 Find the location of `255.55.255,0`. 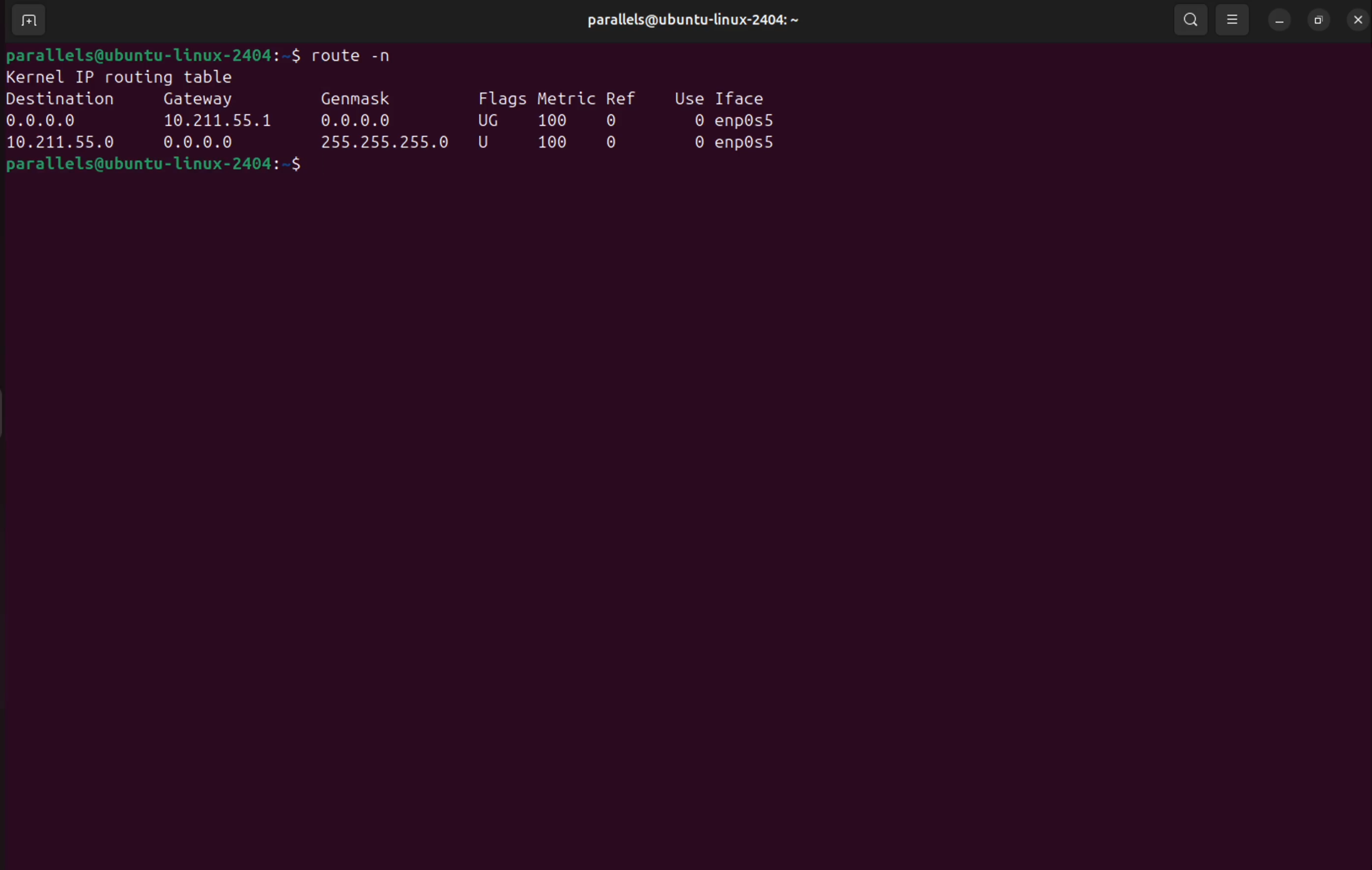

255.55.255,0 is located at coordinates (385, 143).